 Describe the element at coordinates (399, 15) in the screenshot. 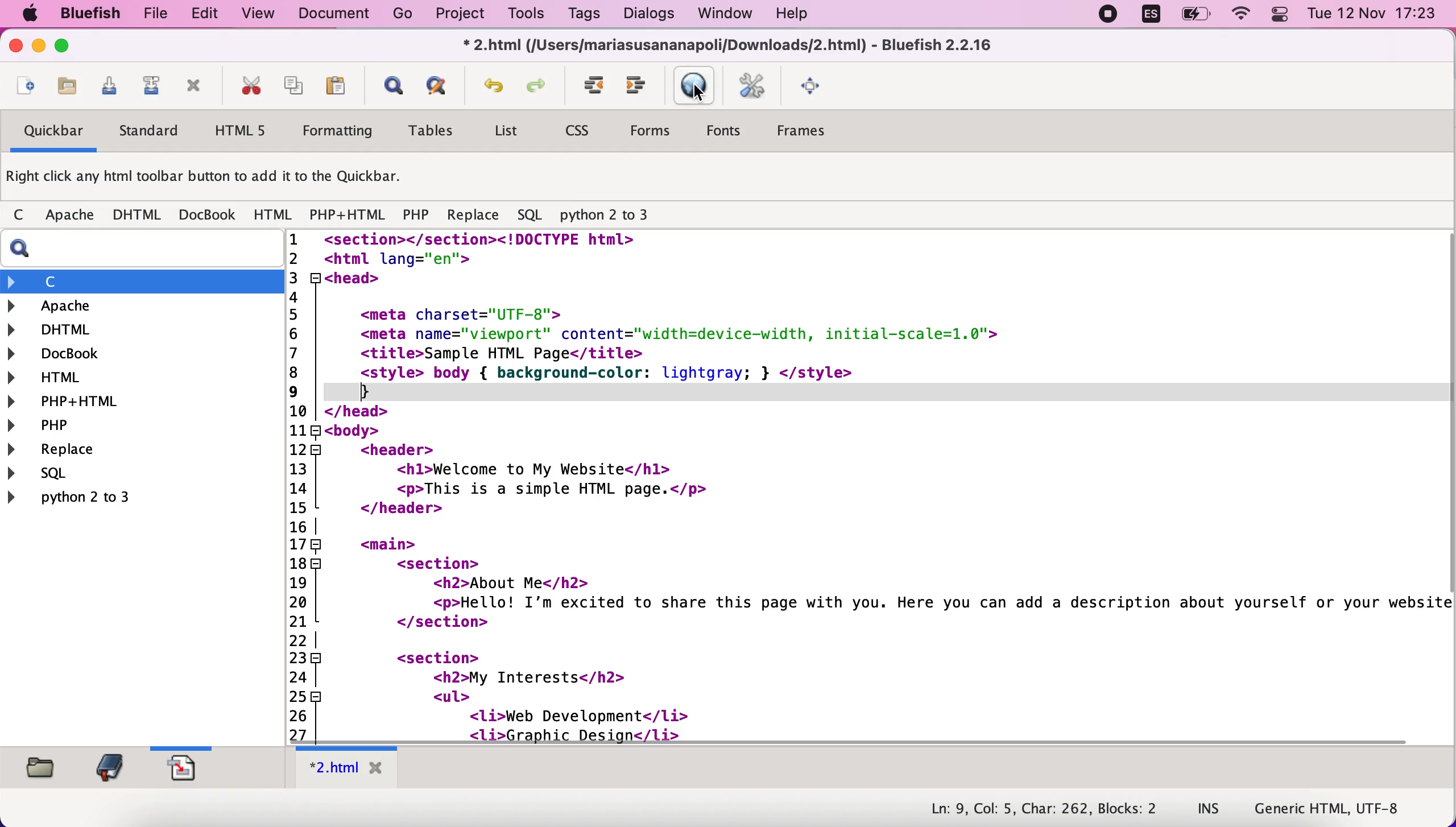

I see `go` at that location.